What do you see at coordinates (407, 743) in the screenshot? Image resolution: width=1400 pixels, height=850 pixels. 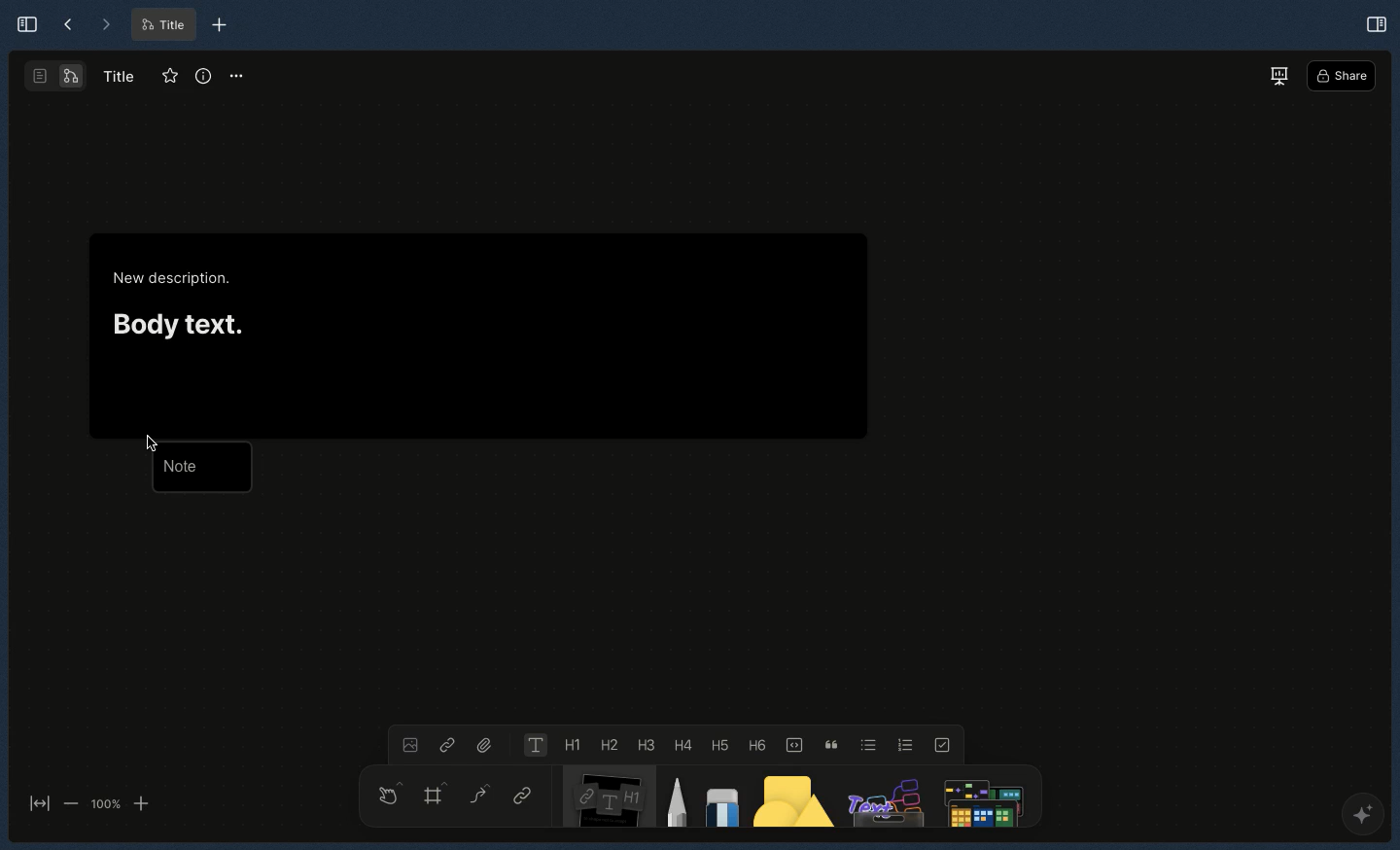 I see `Image` at bounding box center [407, 743].